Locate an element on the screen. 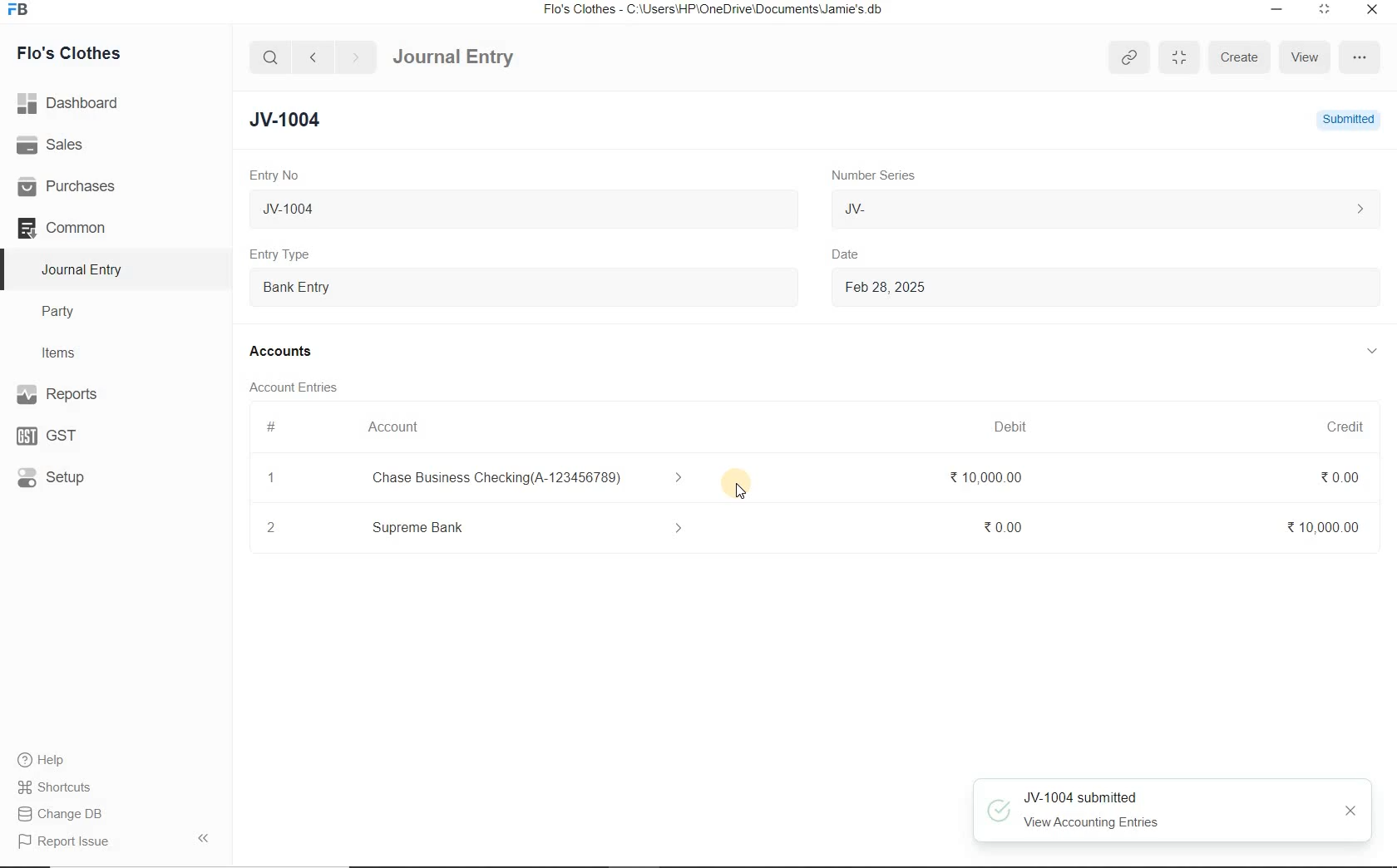  maximize is located at coordinates (1325, 8).